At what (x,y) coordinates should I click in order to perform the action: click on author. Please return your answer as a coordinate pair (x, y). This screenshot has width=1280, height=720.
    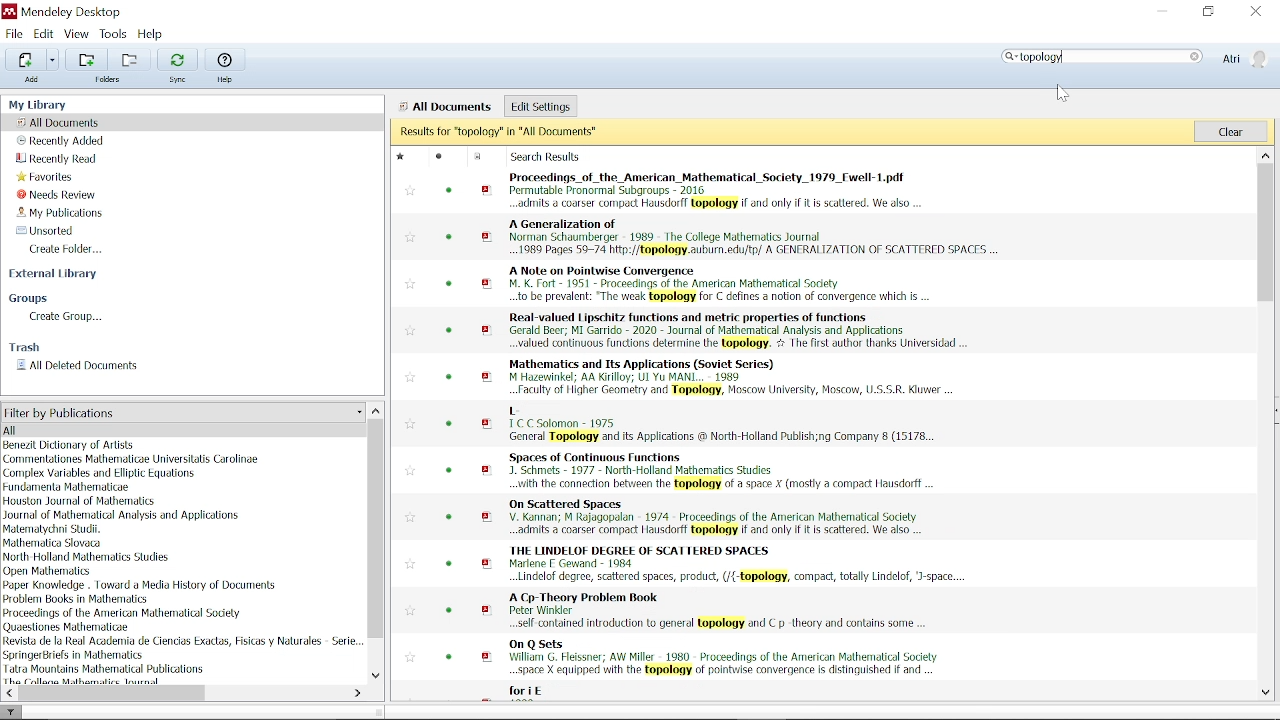
    Looking at the image, I should click on (57, 529).